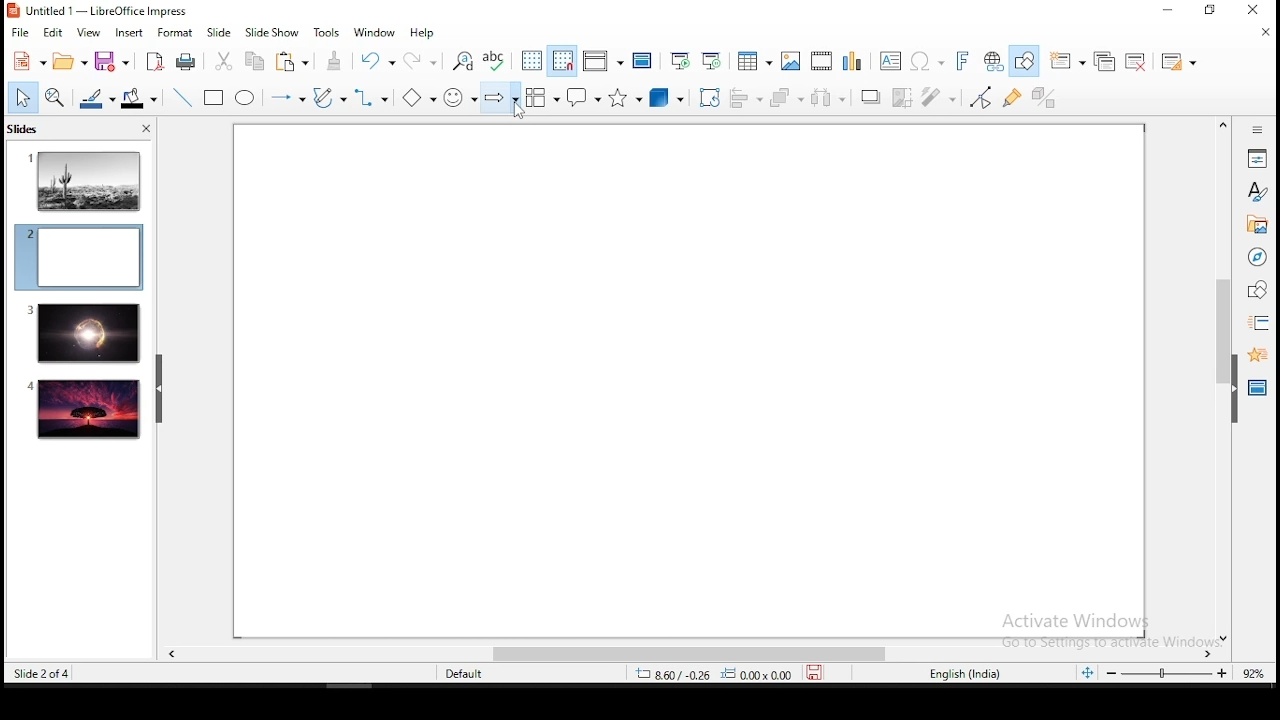 This screenshot has width=1280, height=720. I want to click on paste, so click(295, 61).